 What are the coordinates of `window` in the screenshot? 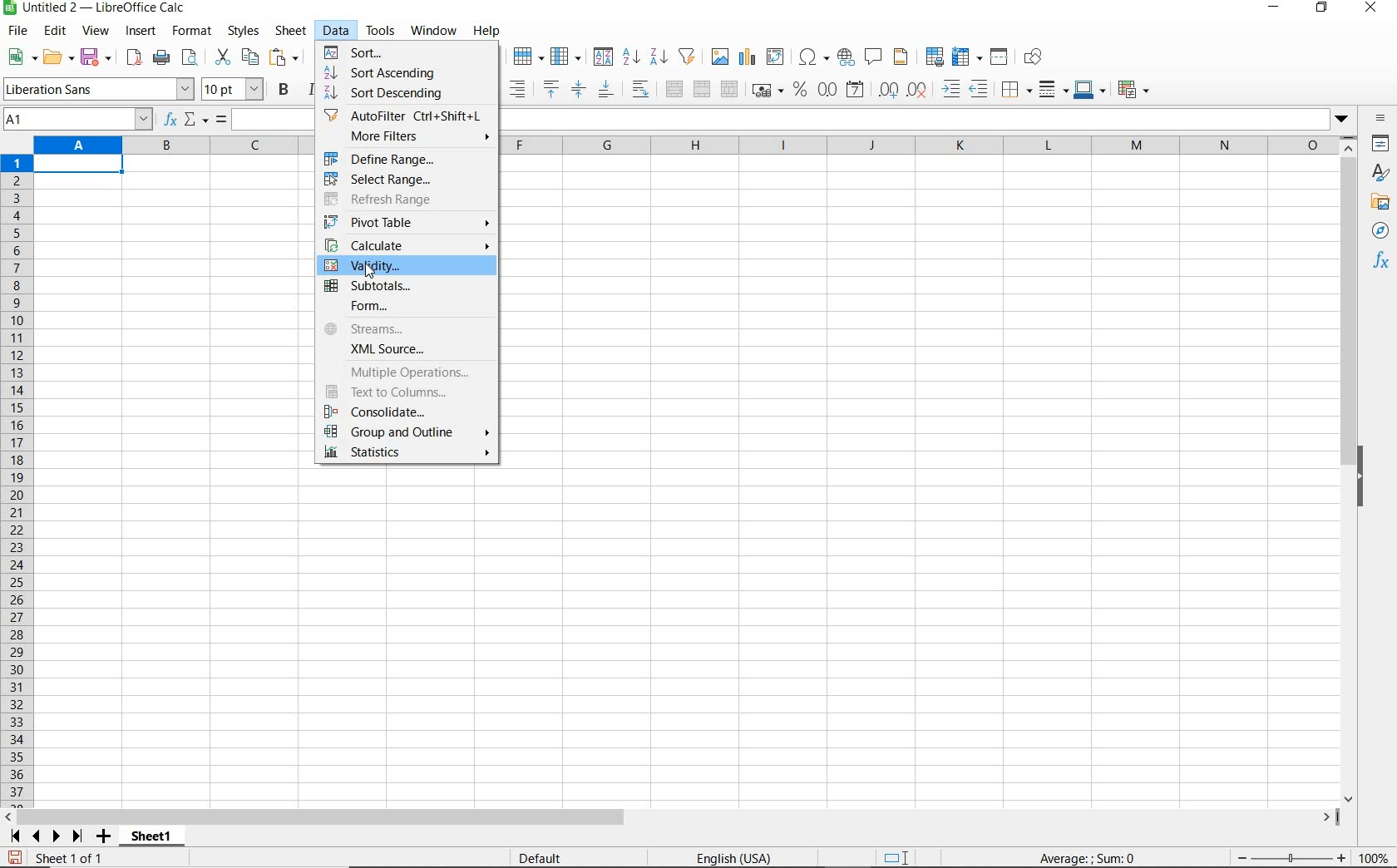 It's located at (433, 28).